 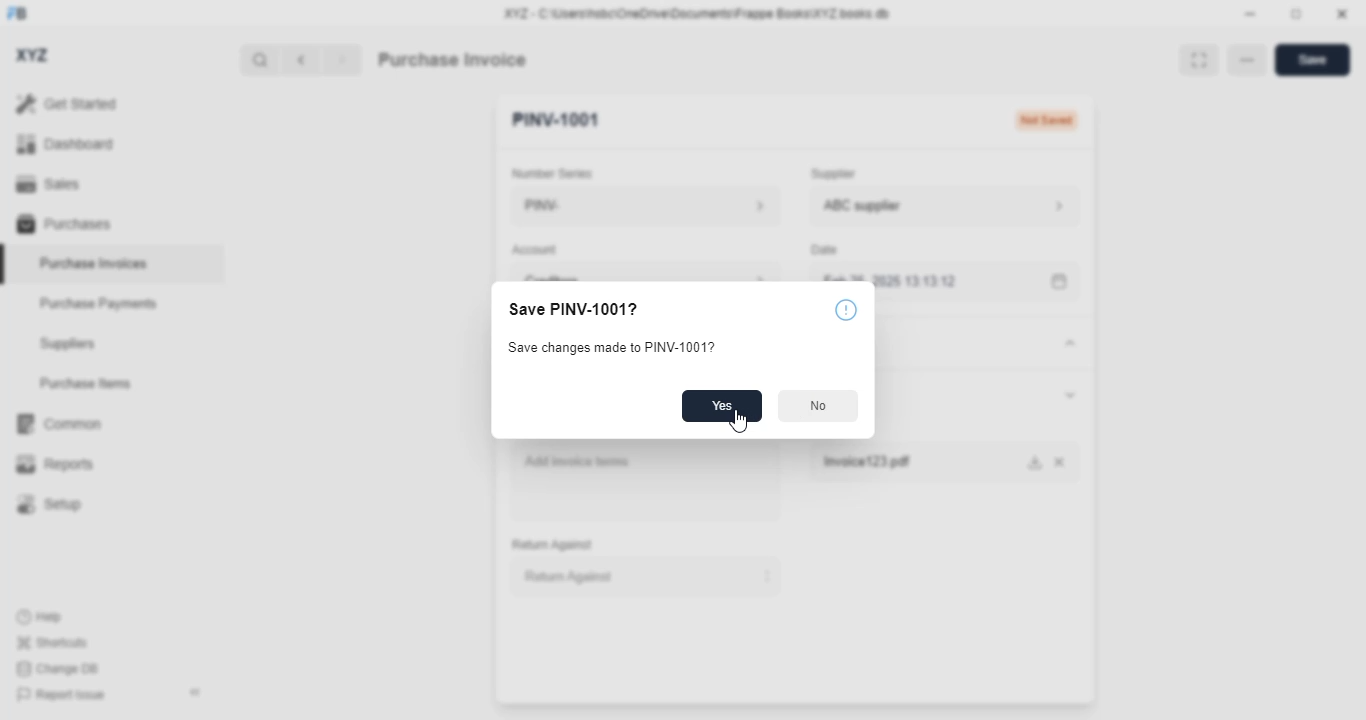 What do you see at coordinates (553, 173) in the screenshot?
I see `number series` at bounding box center [553, 173].